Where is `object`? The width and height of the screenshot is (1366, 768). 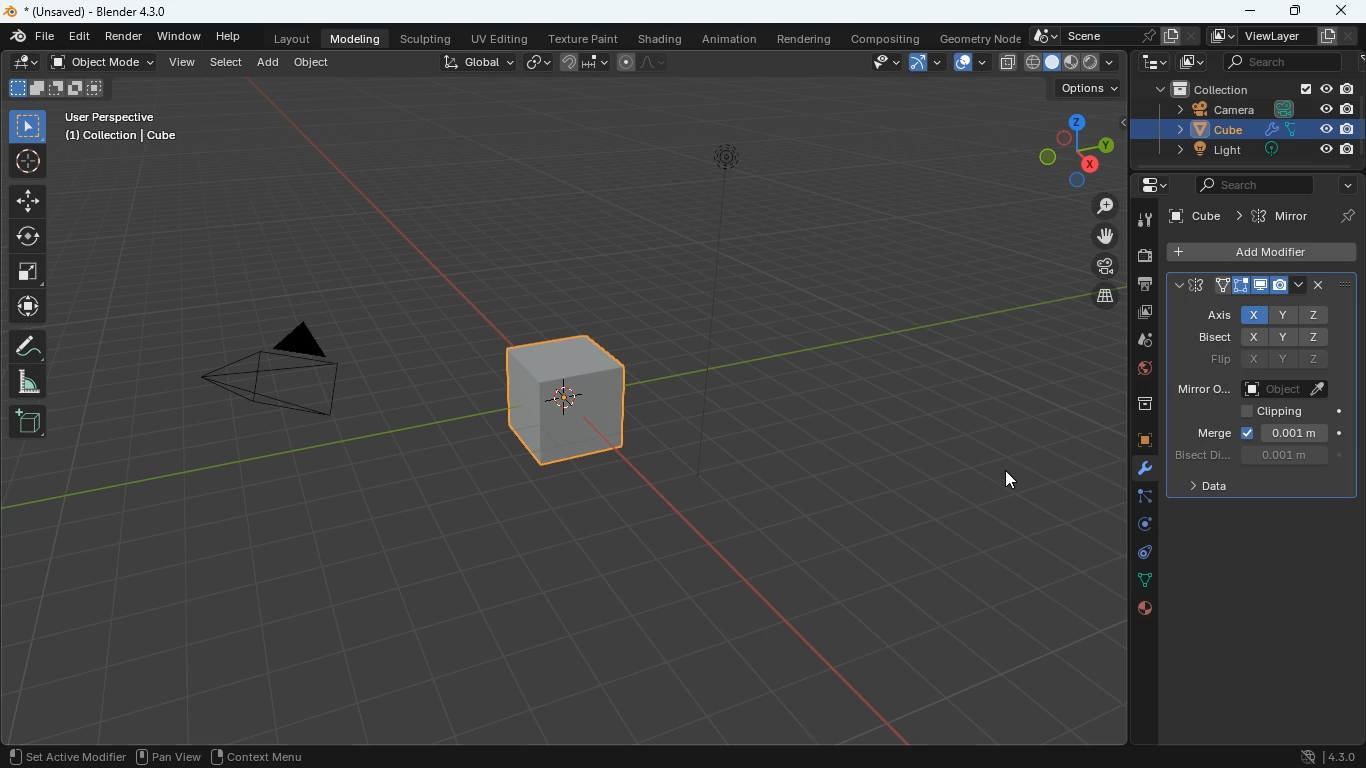 object is located at coordinates (1288, 388).